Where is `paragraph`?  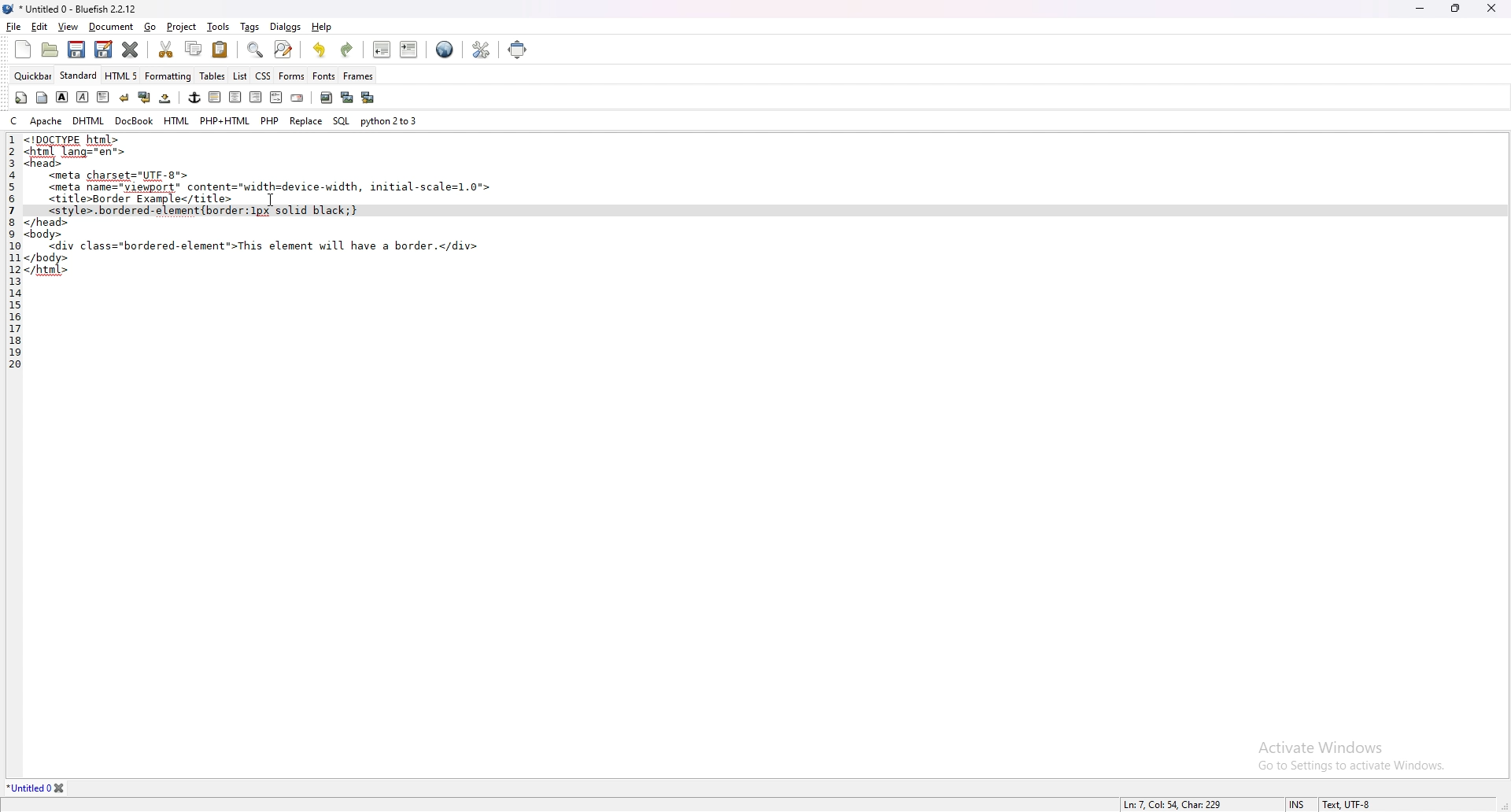
paragraph is located at coordinates (104, 97).